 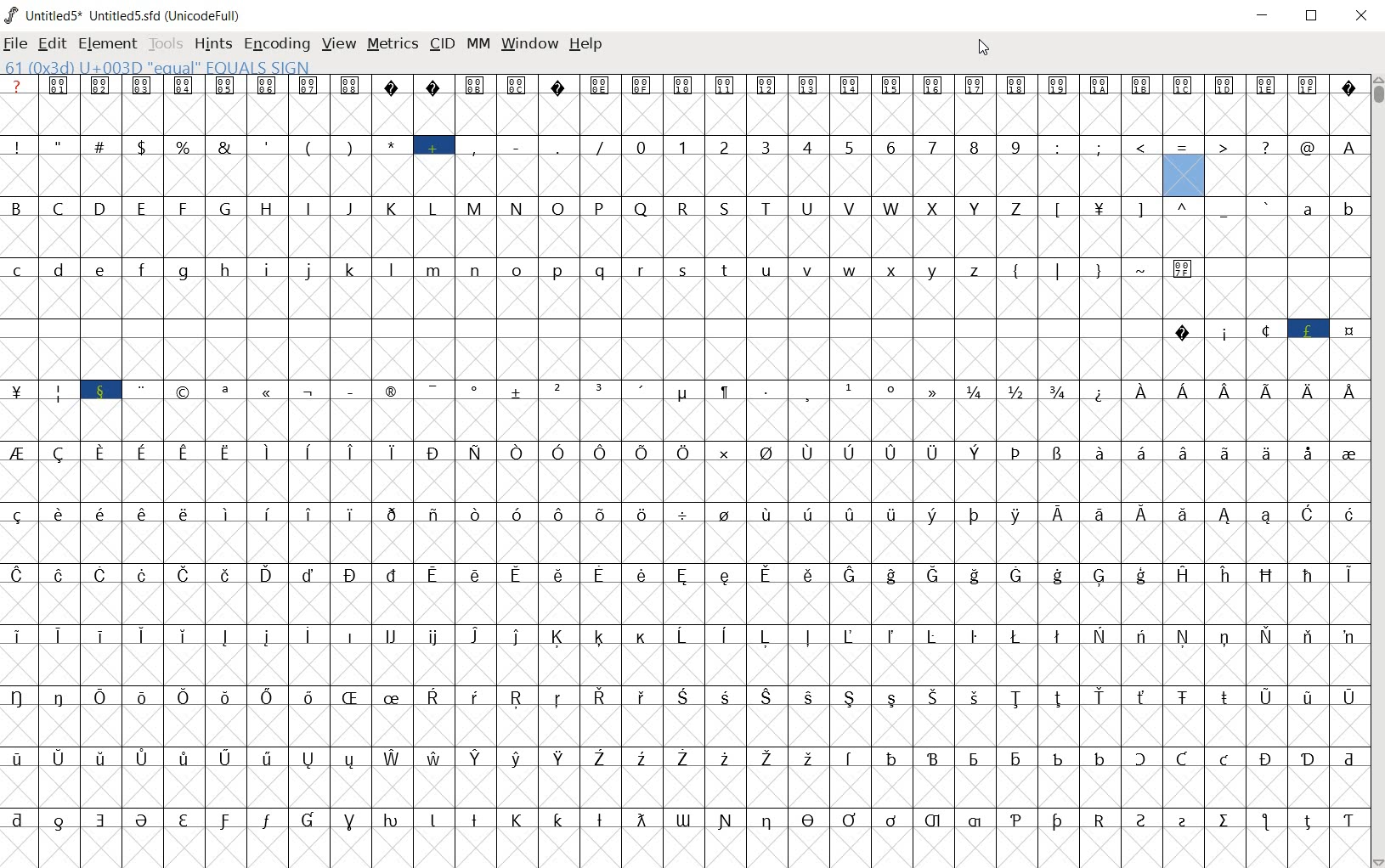 I want to click on tools, so click(x=164, y=42).